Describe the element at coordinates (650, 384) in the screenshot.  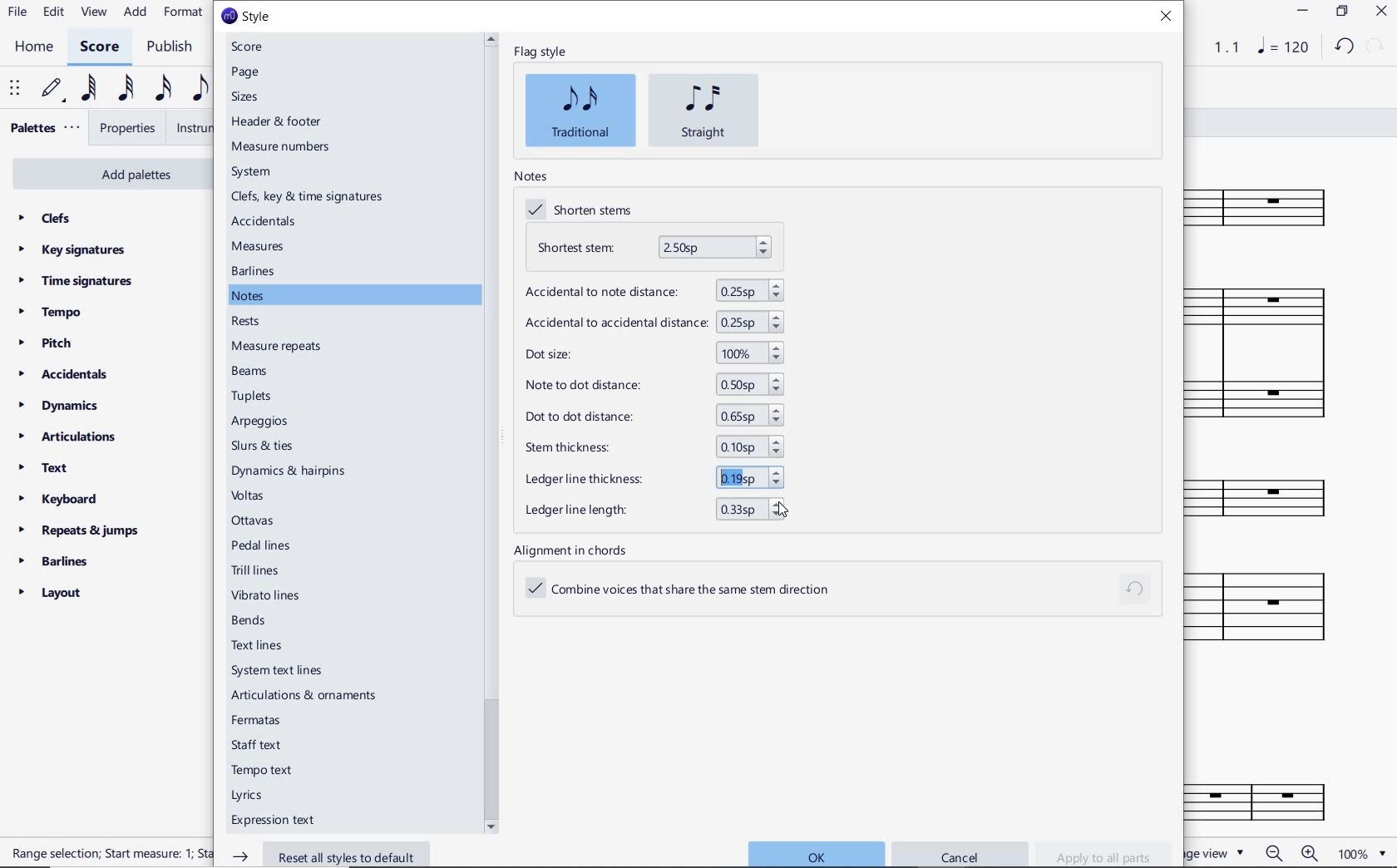
I see `note to dot distance` at that location.